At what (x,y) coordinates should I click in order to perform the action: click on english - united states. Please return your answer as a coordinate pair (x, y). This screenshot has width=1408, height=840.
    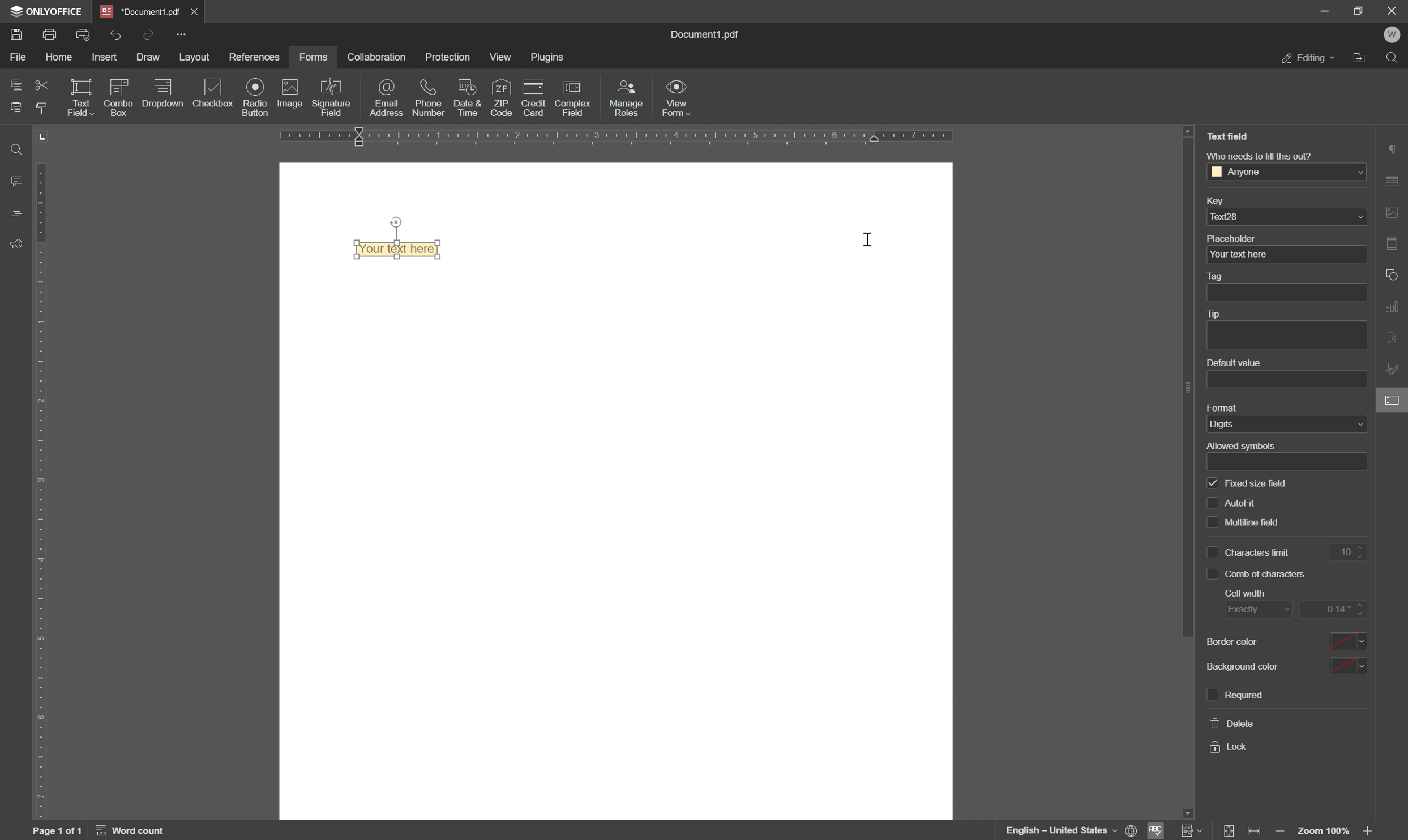
    Looking at the image, I should click on (1061, 830).